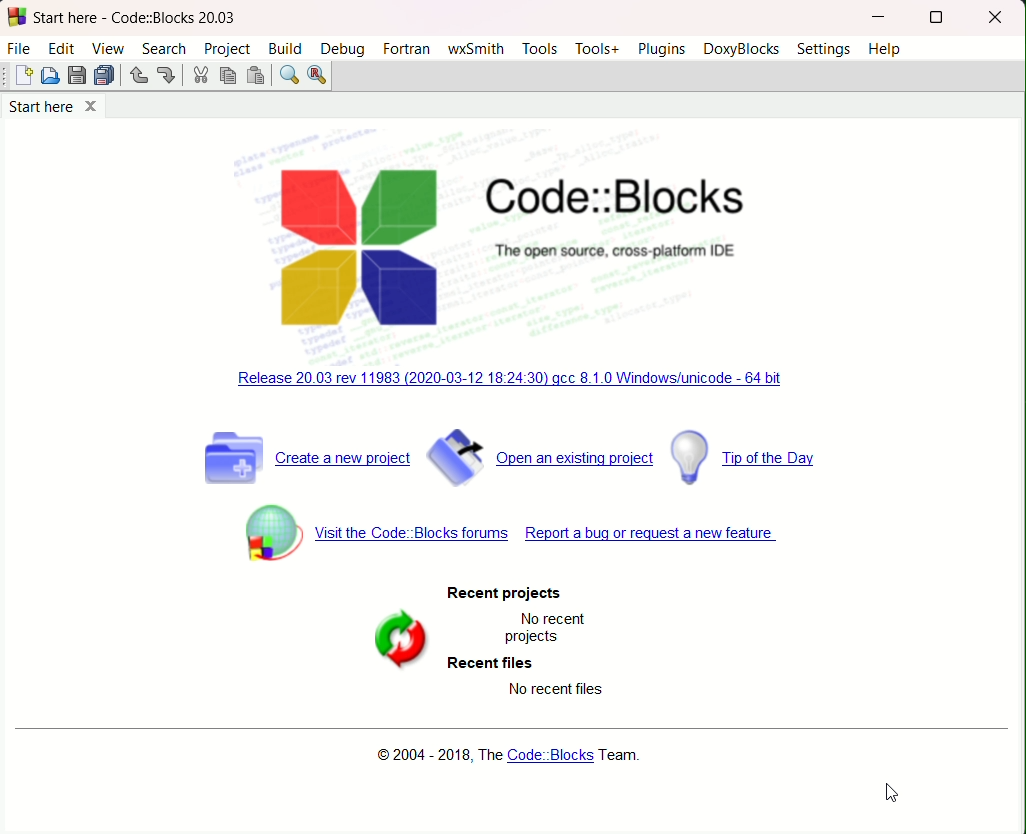 The width and height of the screenshot is (1026, 834). Describe the element at coordinates (618, 251) in the screenshot. I see `` at that location.